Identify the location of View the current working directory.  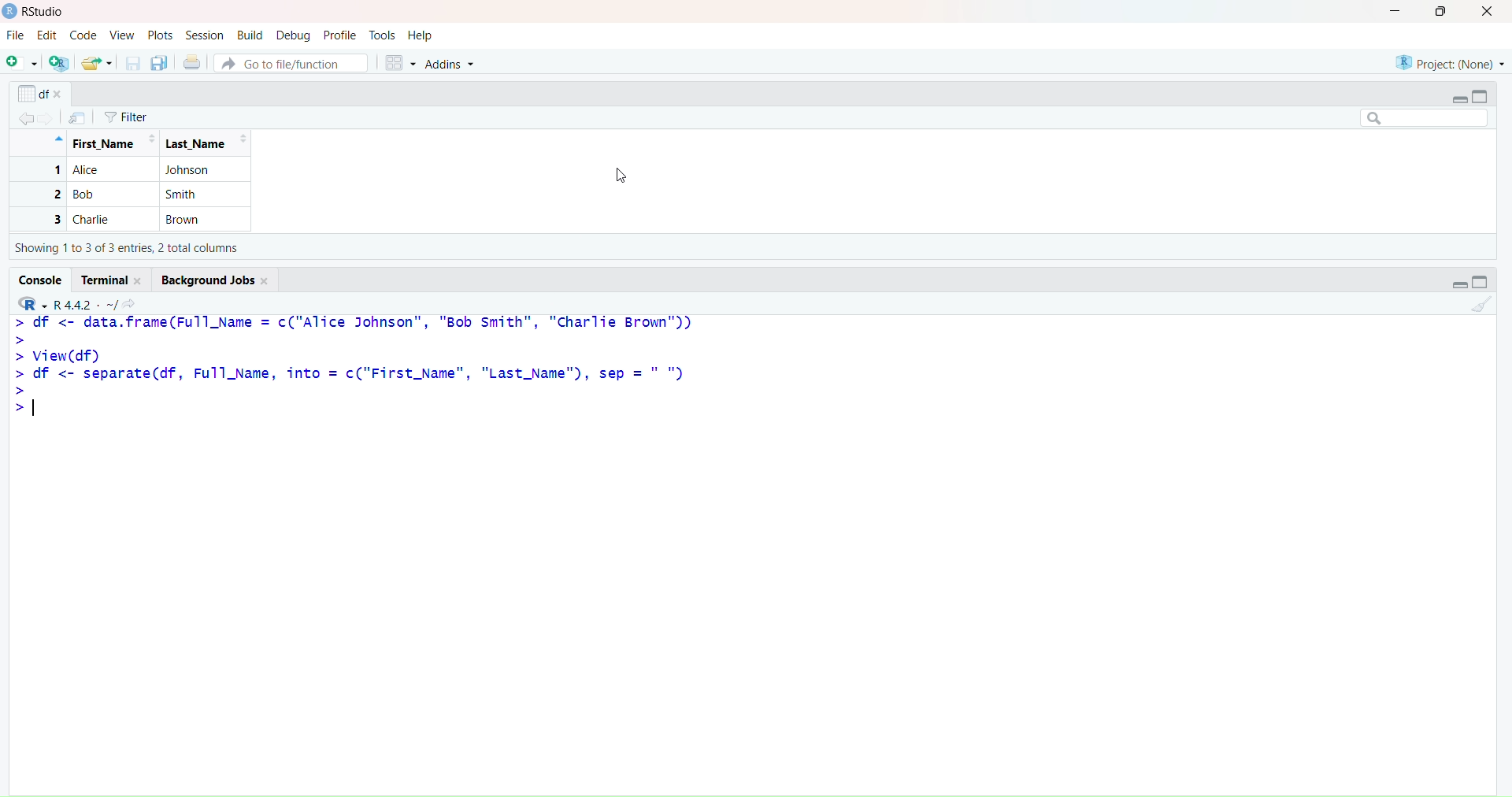
(135, 302).